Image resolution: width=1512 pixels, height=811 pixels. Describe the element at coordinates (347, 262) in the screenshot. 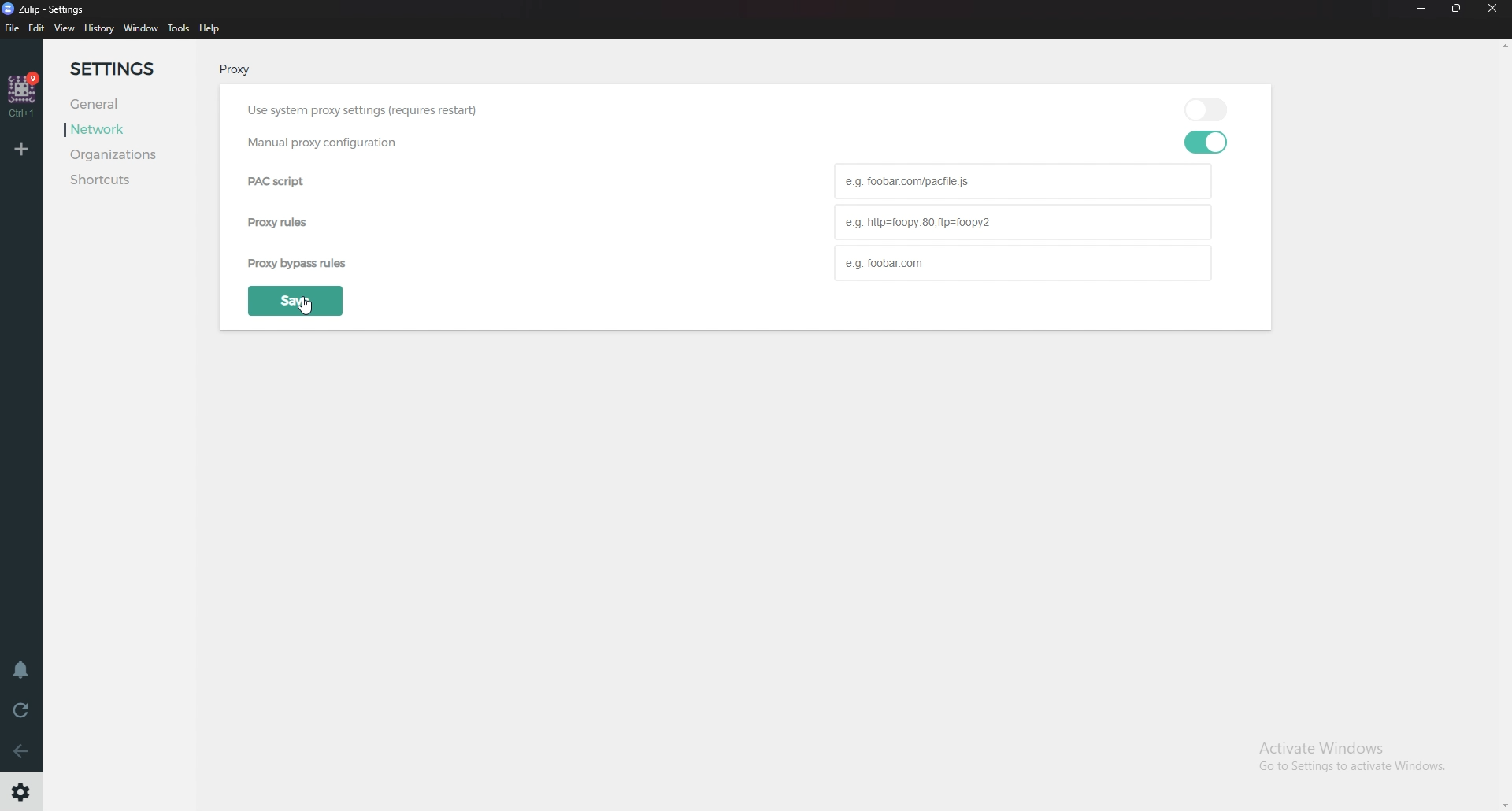

I see `Proxy bipass rules` at that location.